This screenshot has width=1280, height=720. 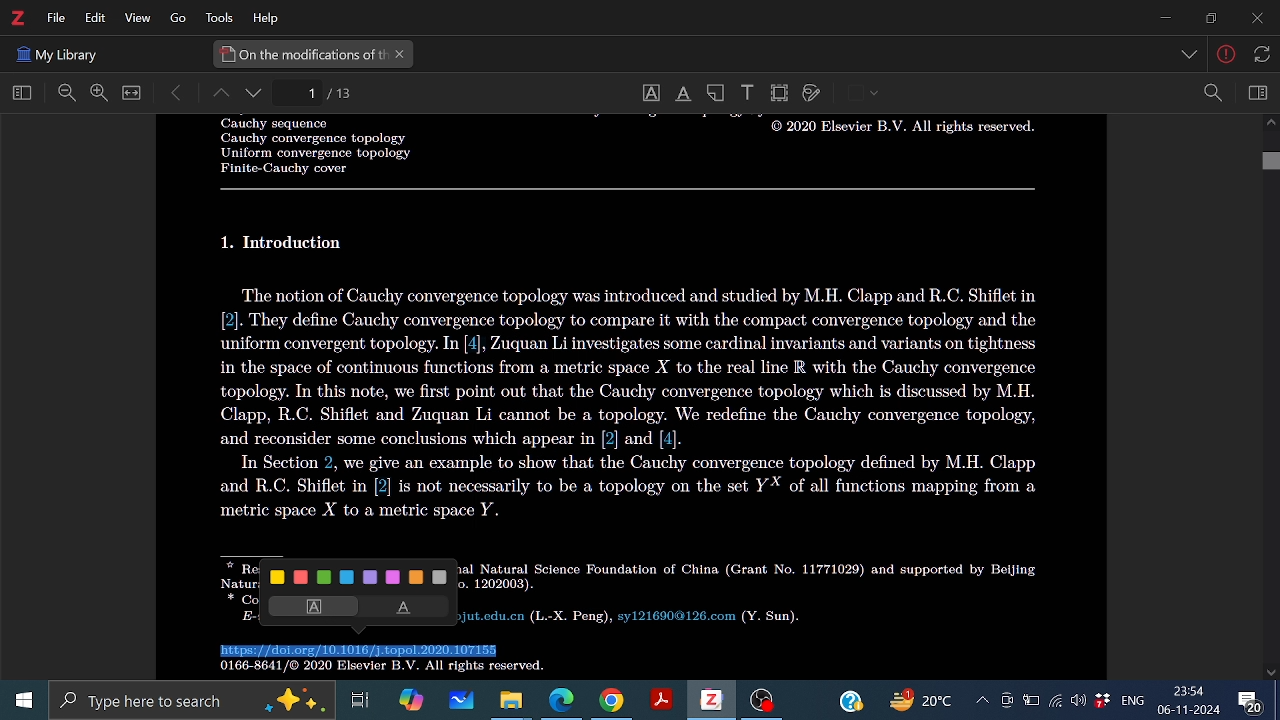 I want to click on Minmize, so click(x=1164, y=19).